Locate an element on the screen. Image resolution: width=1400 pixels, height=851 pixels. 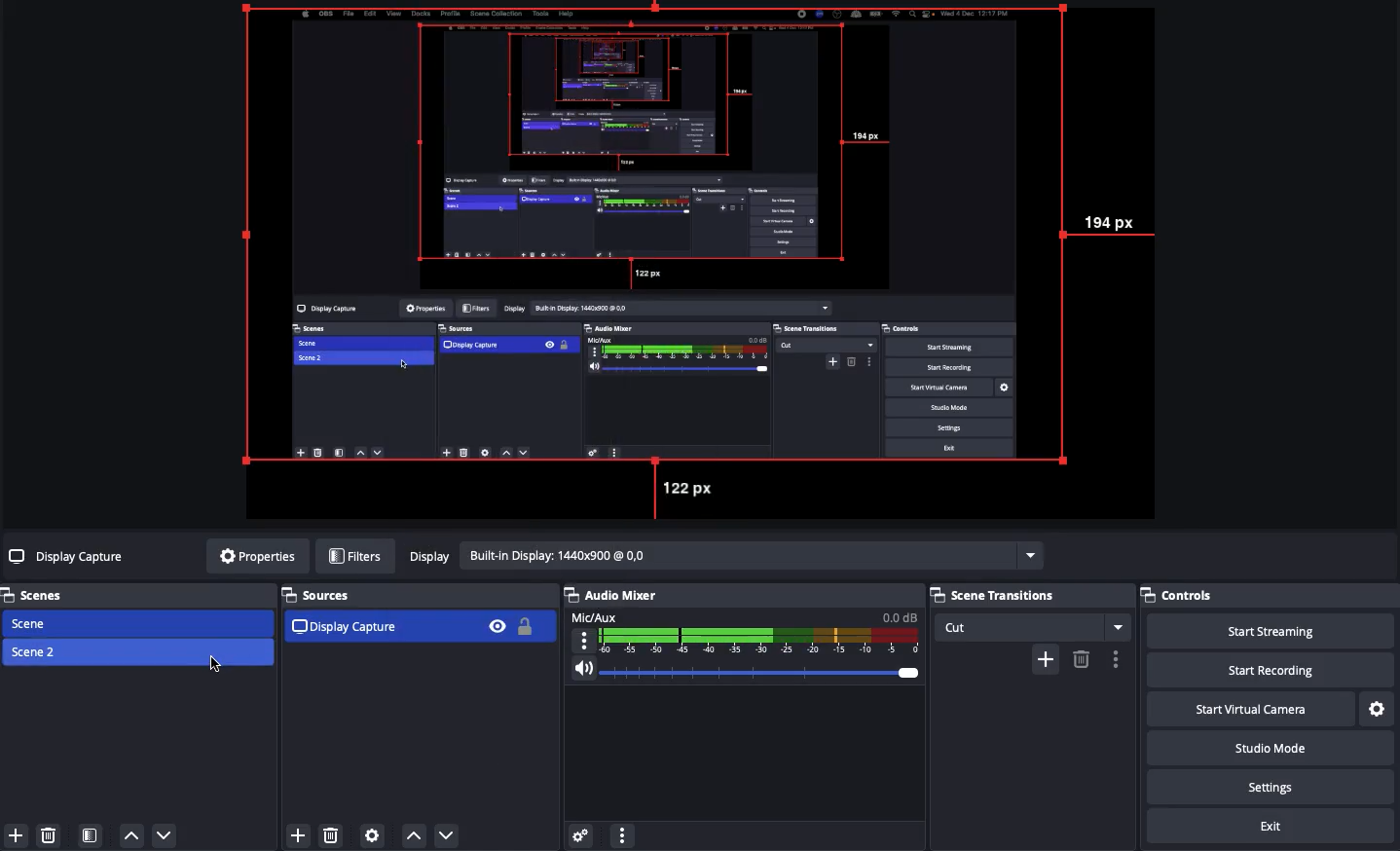
Controls is located at coordinates (1179, 595).